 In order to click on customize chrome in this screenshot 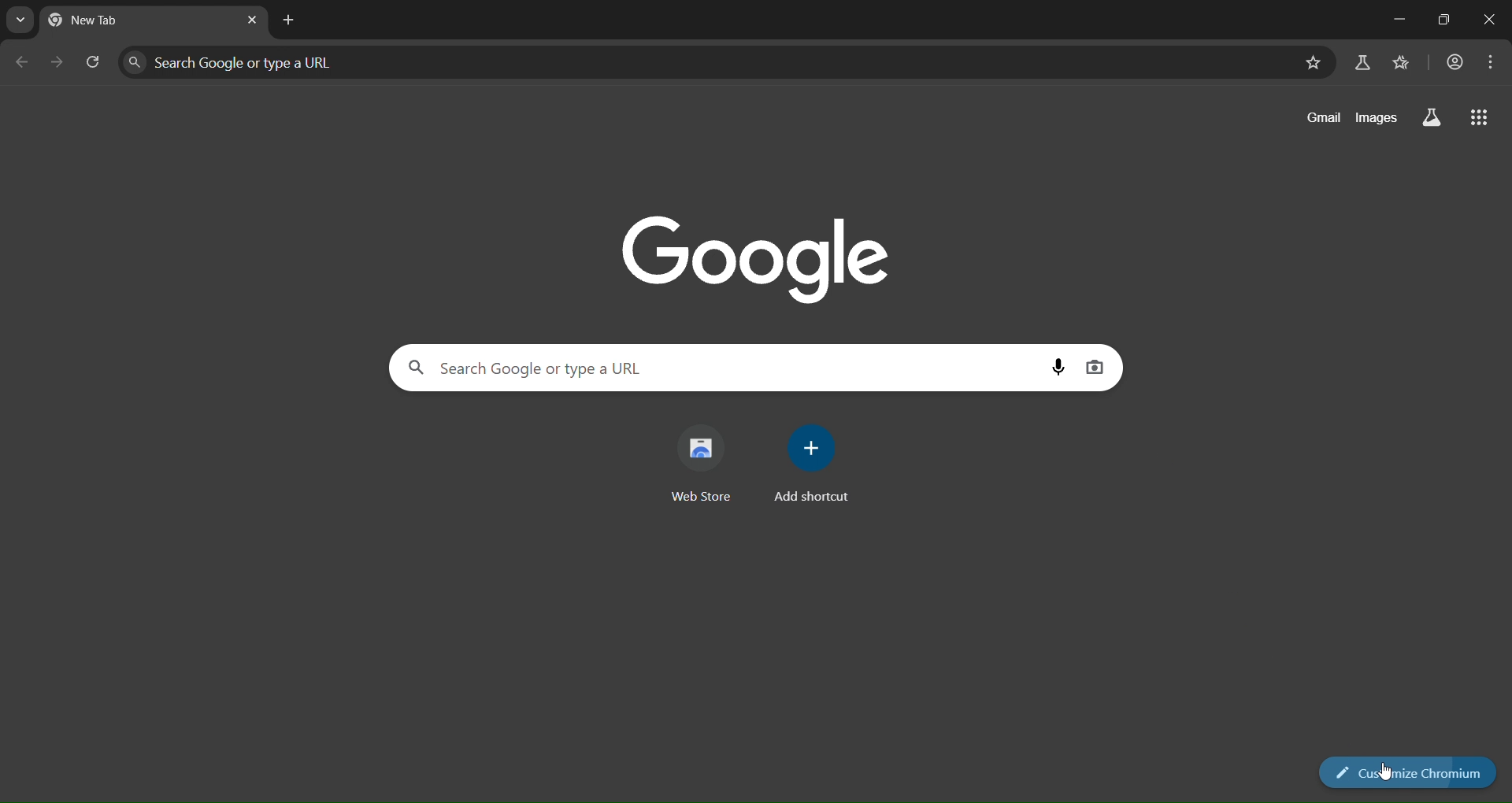, I will do `click(1406, 772)`.